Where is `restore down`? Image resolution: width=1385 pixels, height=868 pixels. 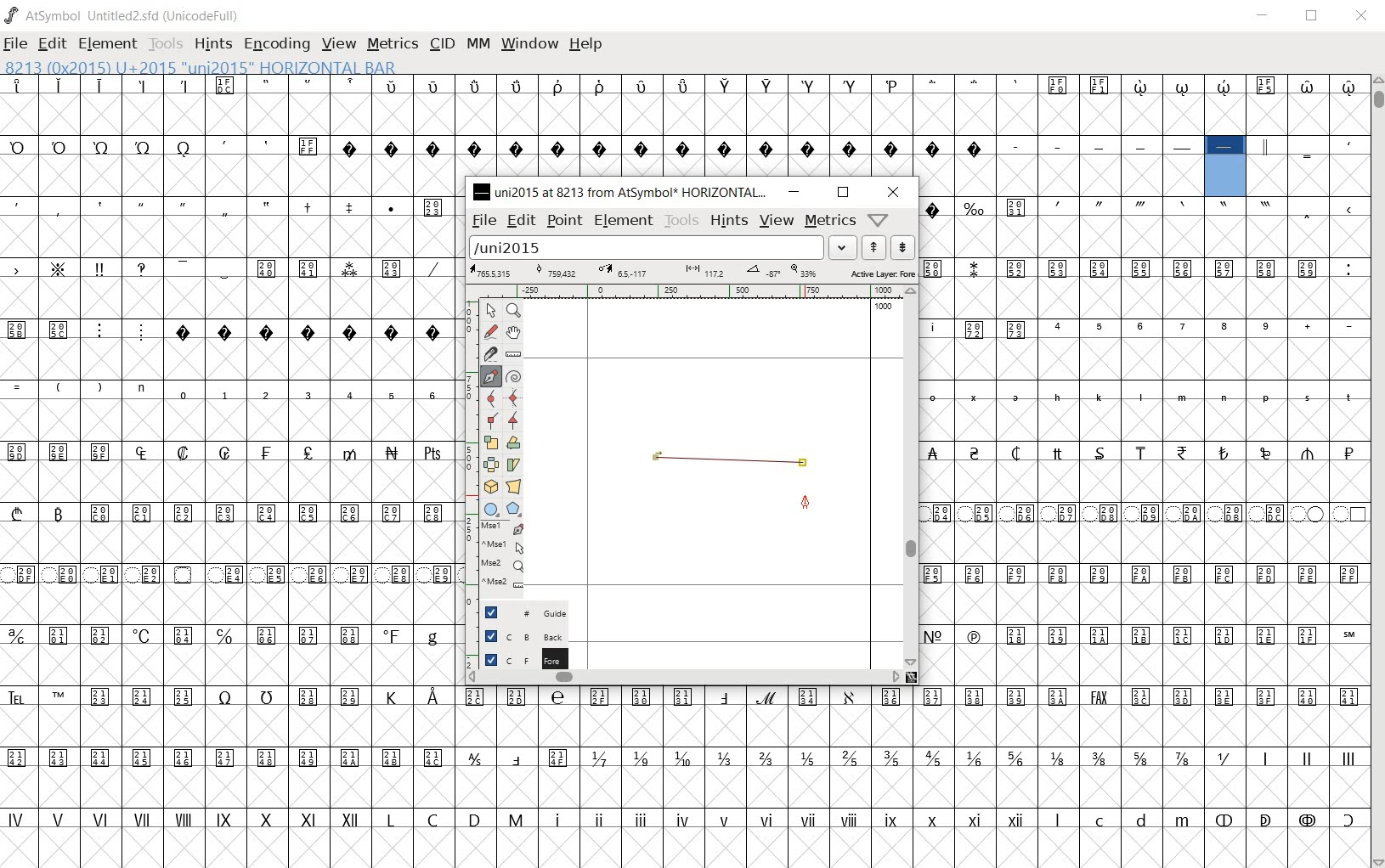
restore down is located at coordinates (842, 193).